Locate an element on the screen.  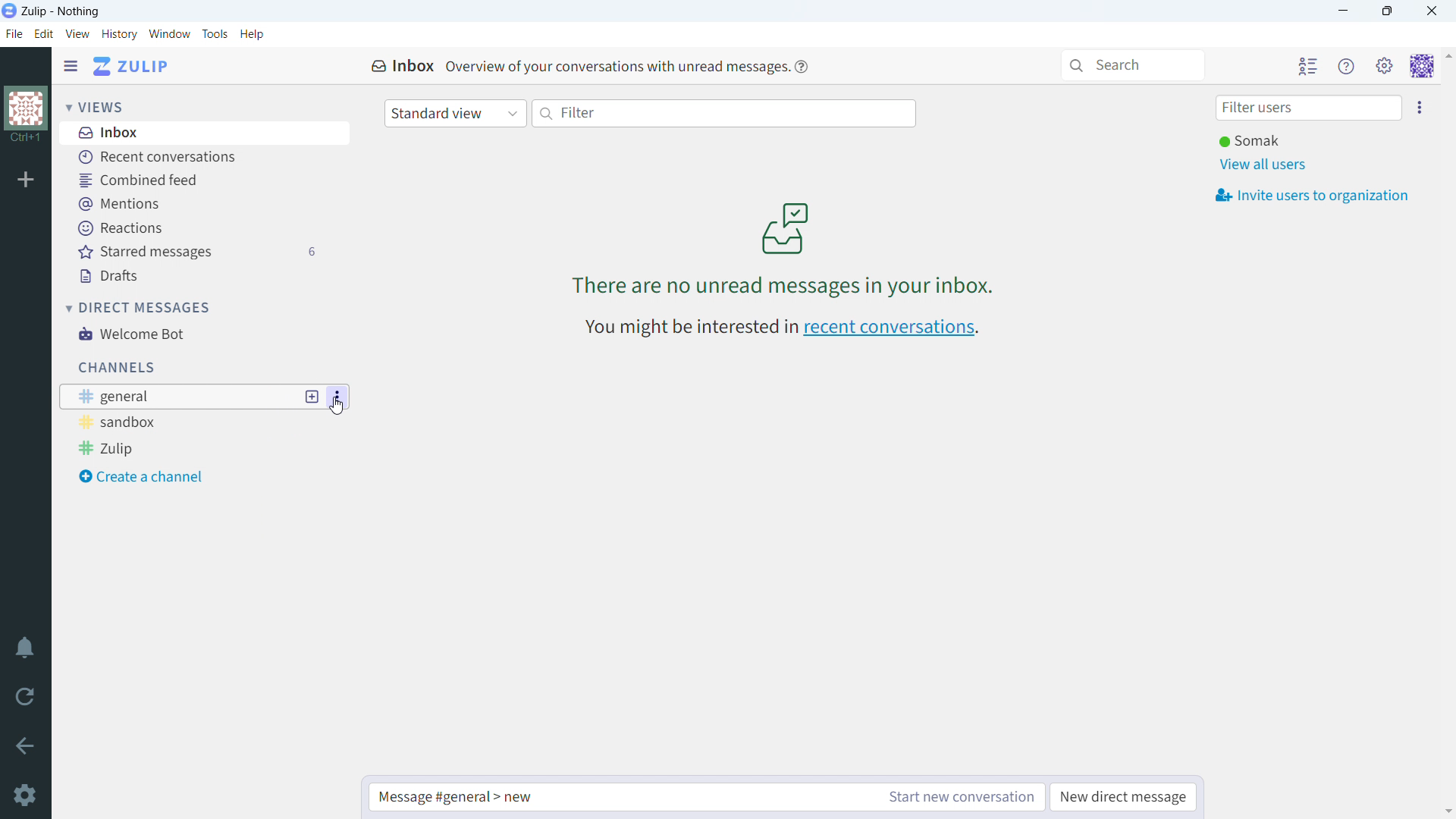
go back is located at coordinates (26, 743).